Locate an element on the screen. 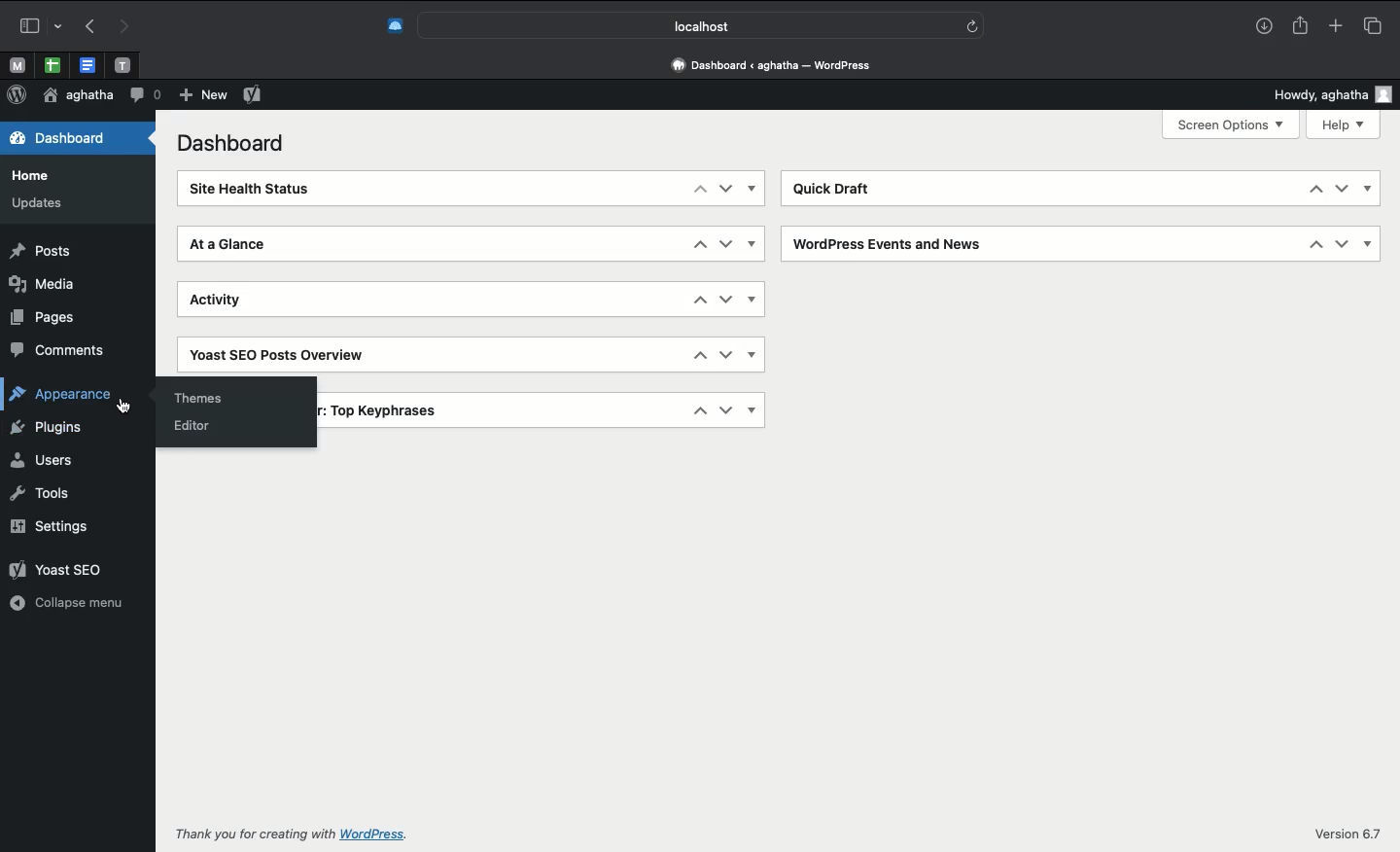 The image size is (1400, 852). Editor is located at coordinates (199, 427).